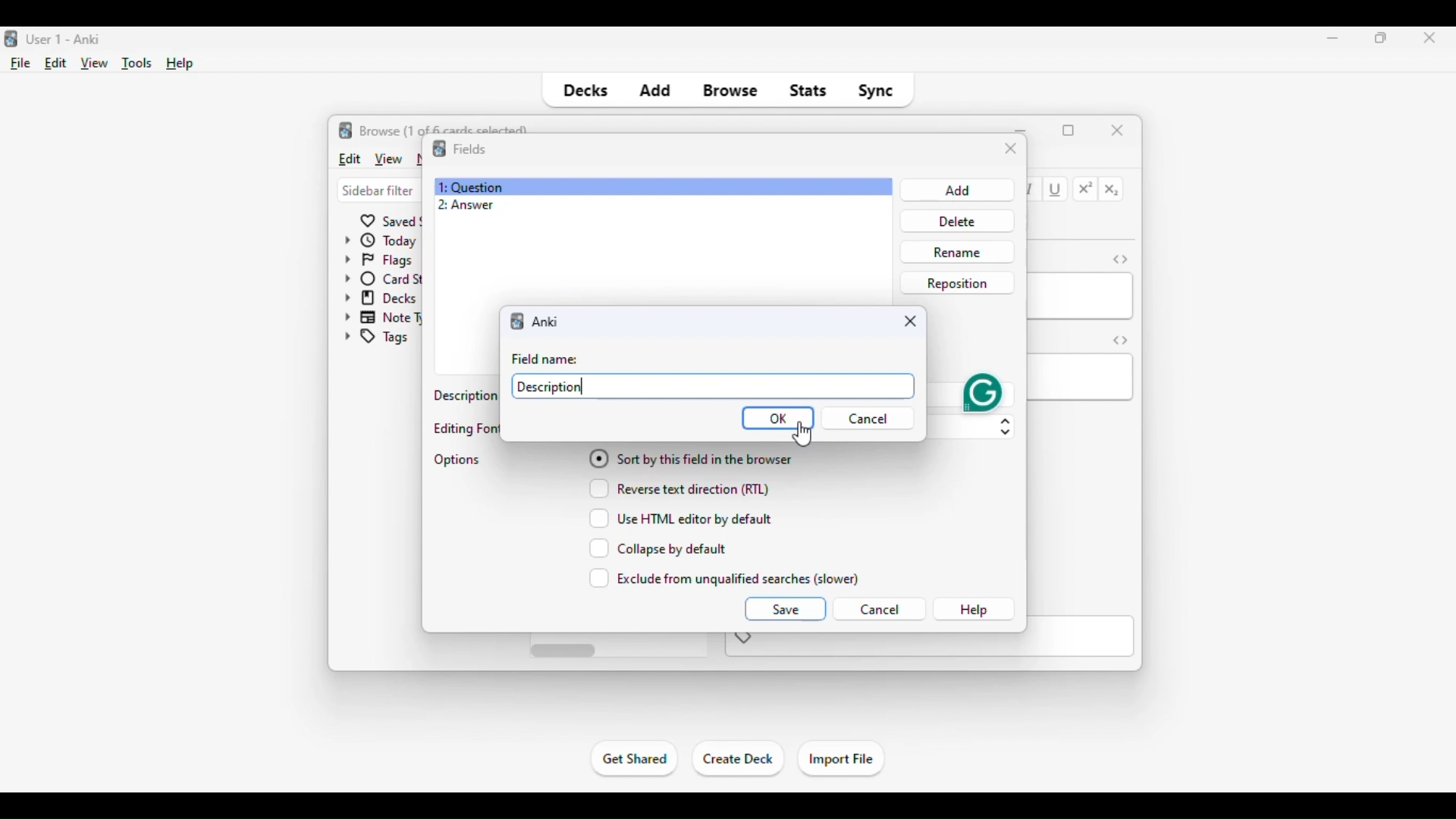 This screenshot has width=1456, height=819. I want to click on title, so click(65, 39).